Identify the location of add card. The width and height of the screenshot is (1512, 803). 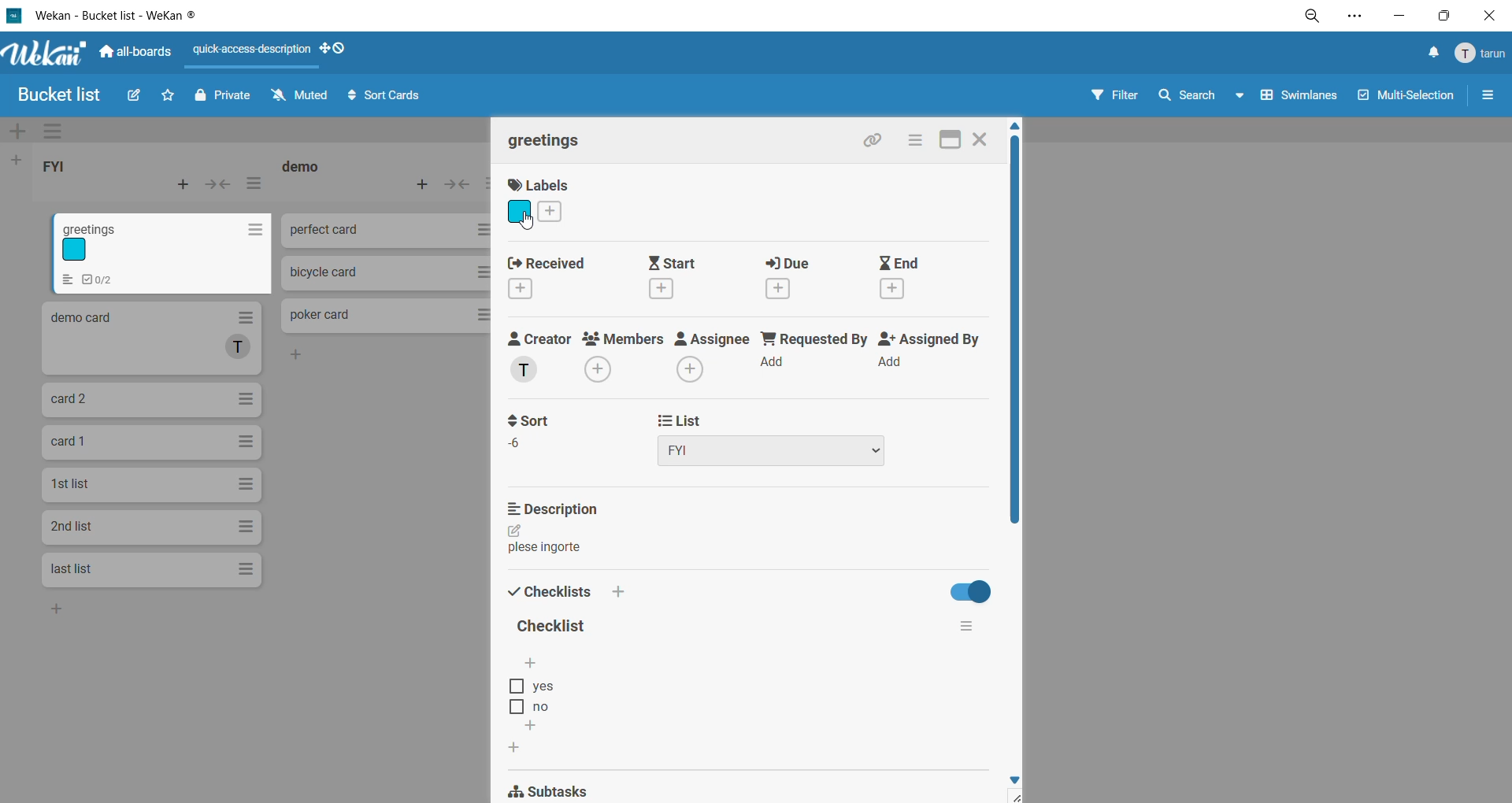
(180, 187).